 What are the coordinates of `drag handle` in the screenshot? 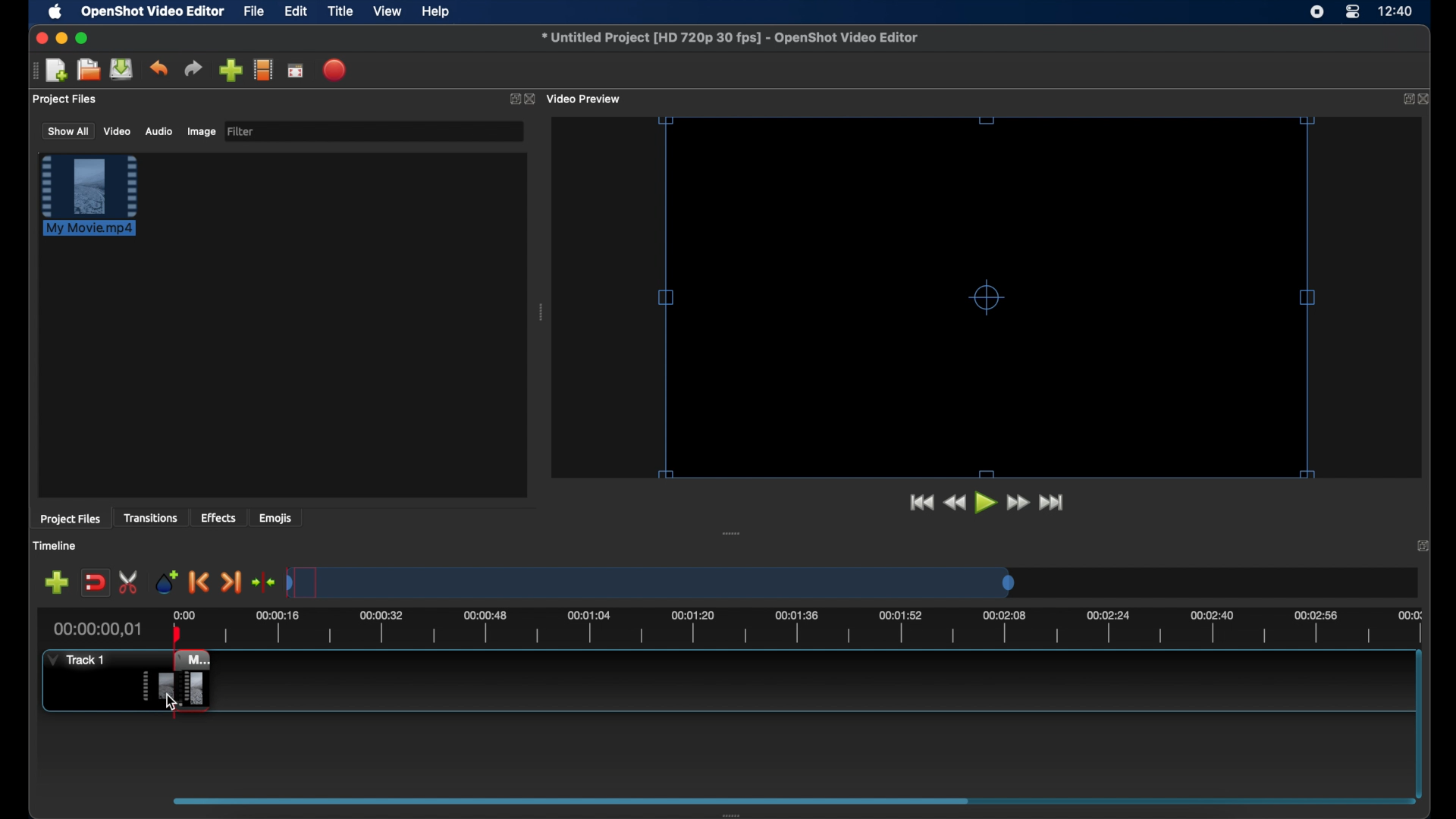 It's located at (732, 535).